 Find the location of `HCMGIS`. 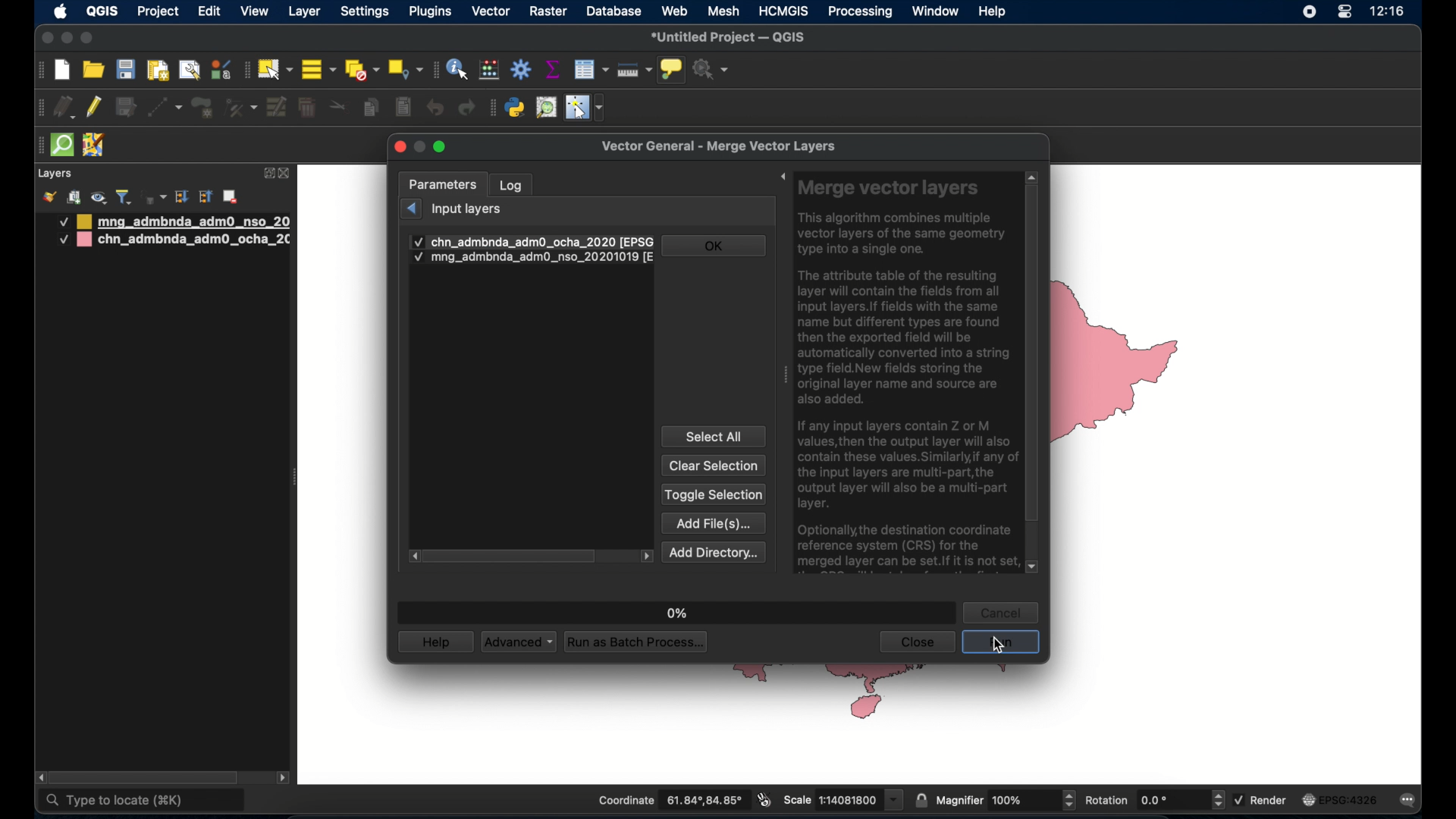

HCMGIS is located at coordinates (783, 11).